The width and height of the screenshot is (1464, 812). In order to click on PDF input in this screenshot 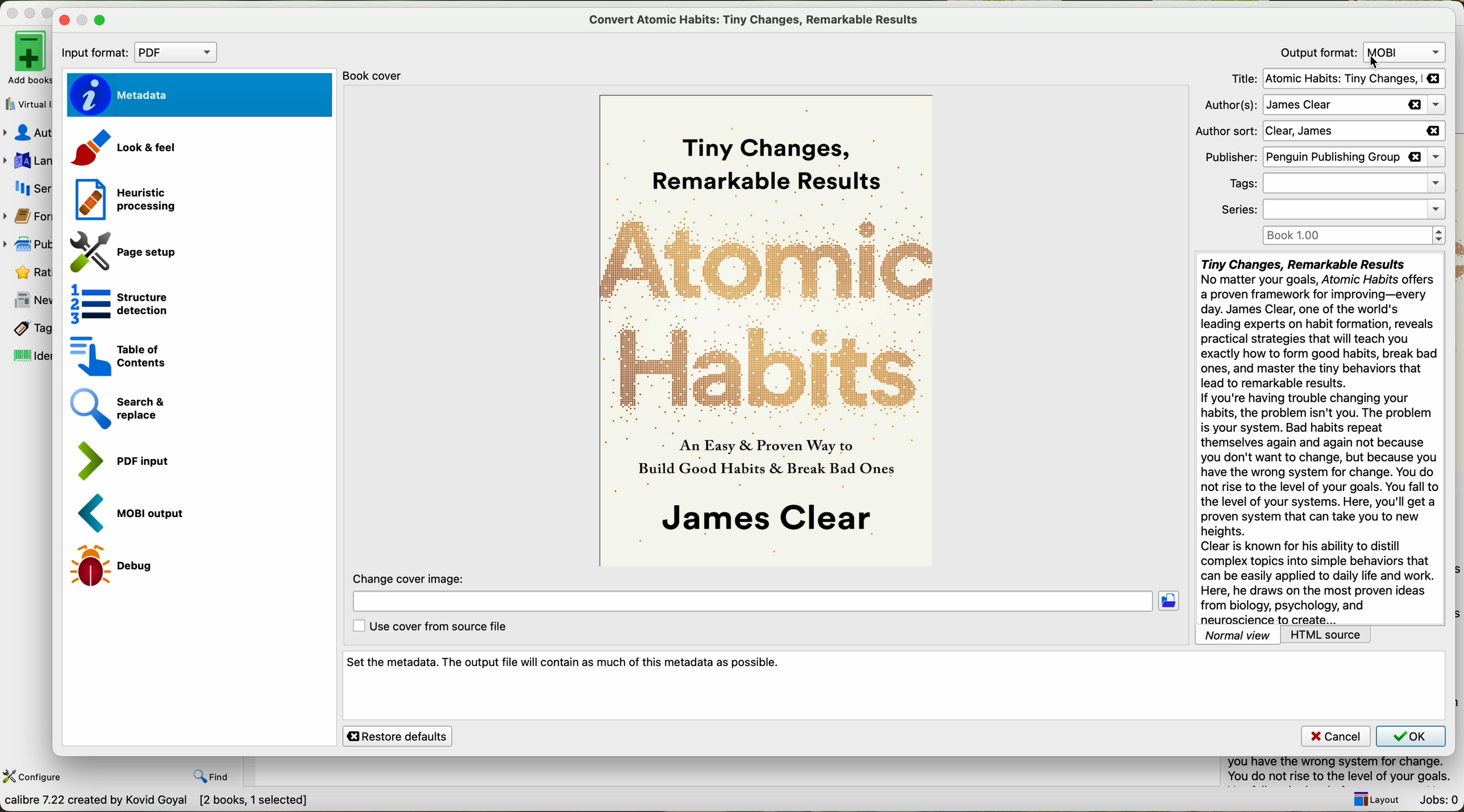, I will do `click(120, 459)`.